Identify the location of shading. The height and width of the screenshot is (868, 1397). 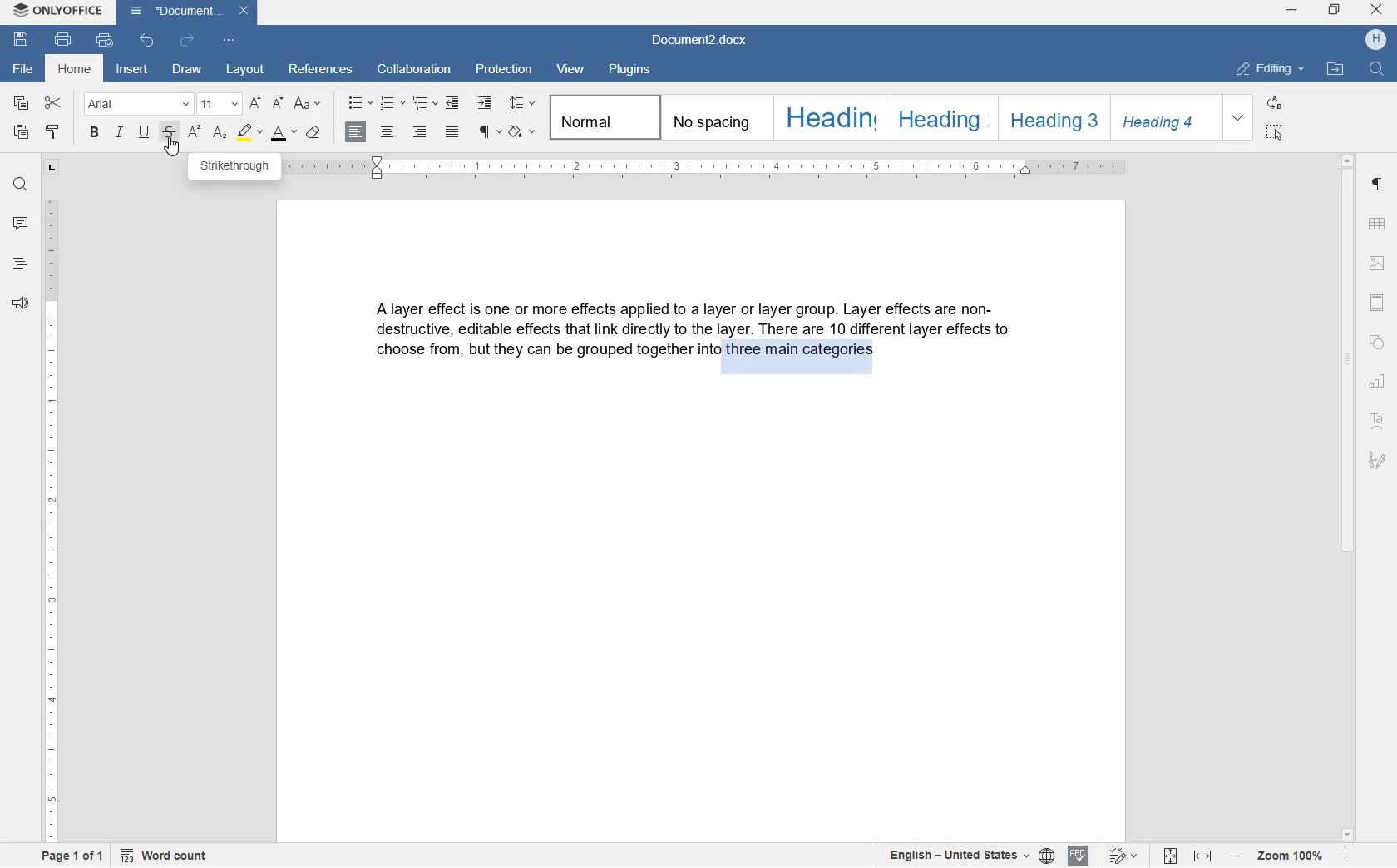
(522, 131).